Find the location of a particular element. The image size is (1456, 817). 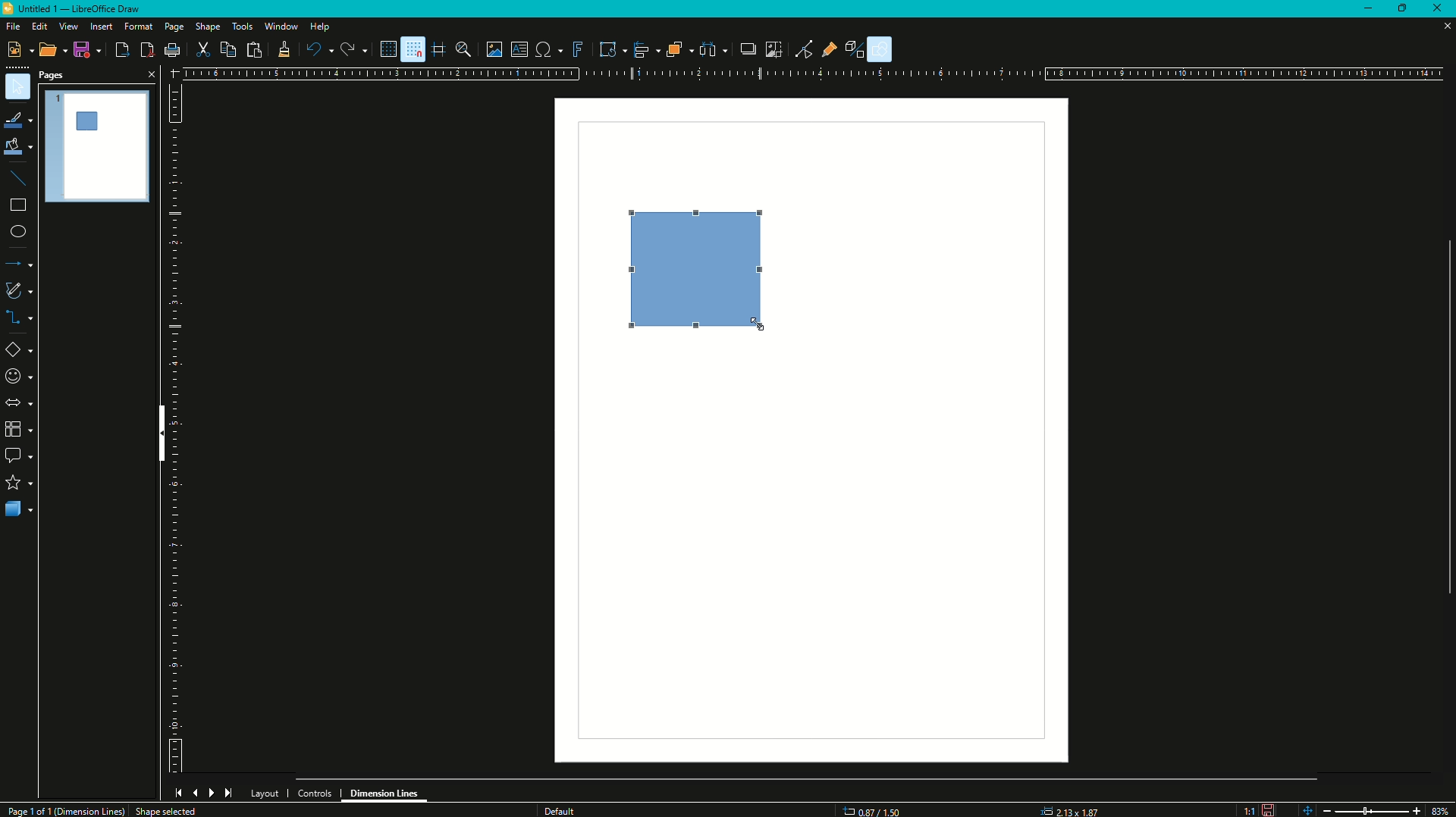

Zoom Out is located at coordinates (1324, 809).